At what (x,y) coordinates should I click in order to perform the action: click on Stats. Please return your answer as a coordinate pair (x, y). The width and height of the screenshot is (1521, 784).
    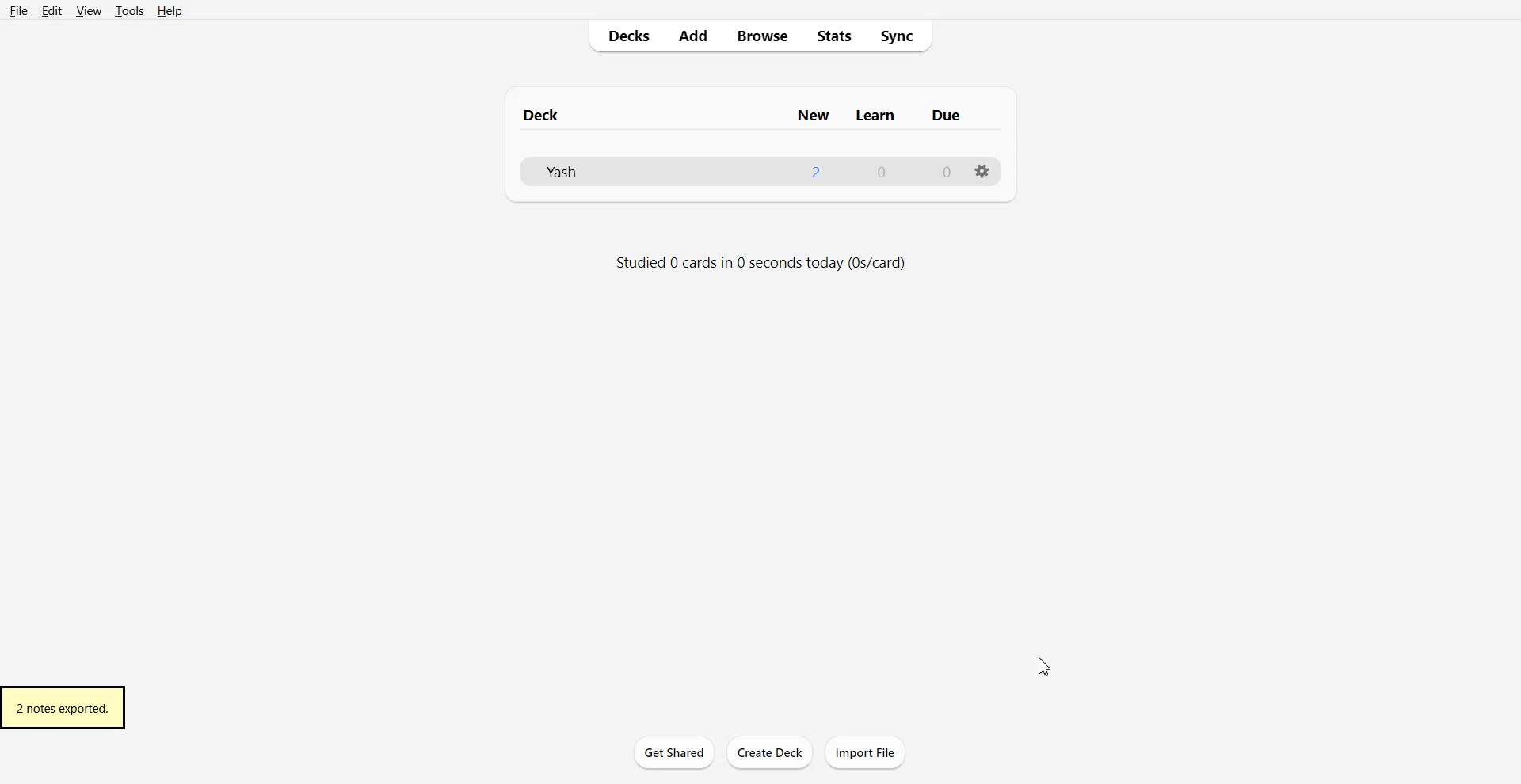
    Looking at the image, I should click on (835, 36).